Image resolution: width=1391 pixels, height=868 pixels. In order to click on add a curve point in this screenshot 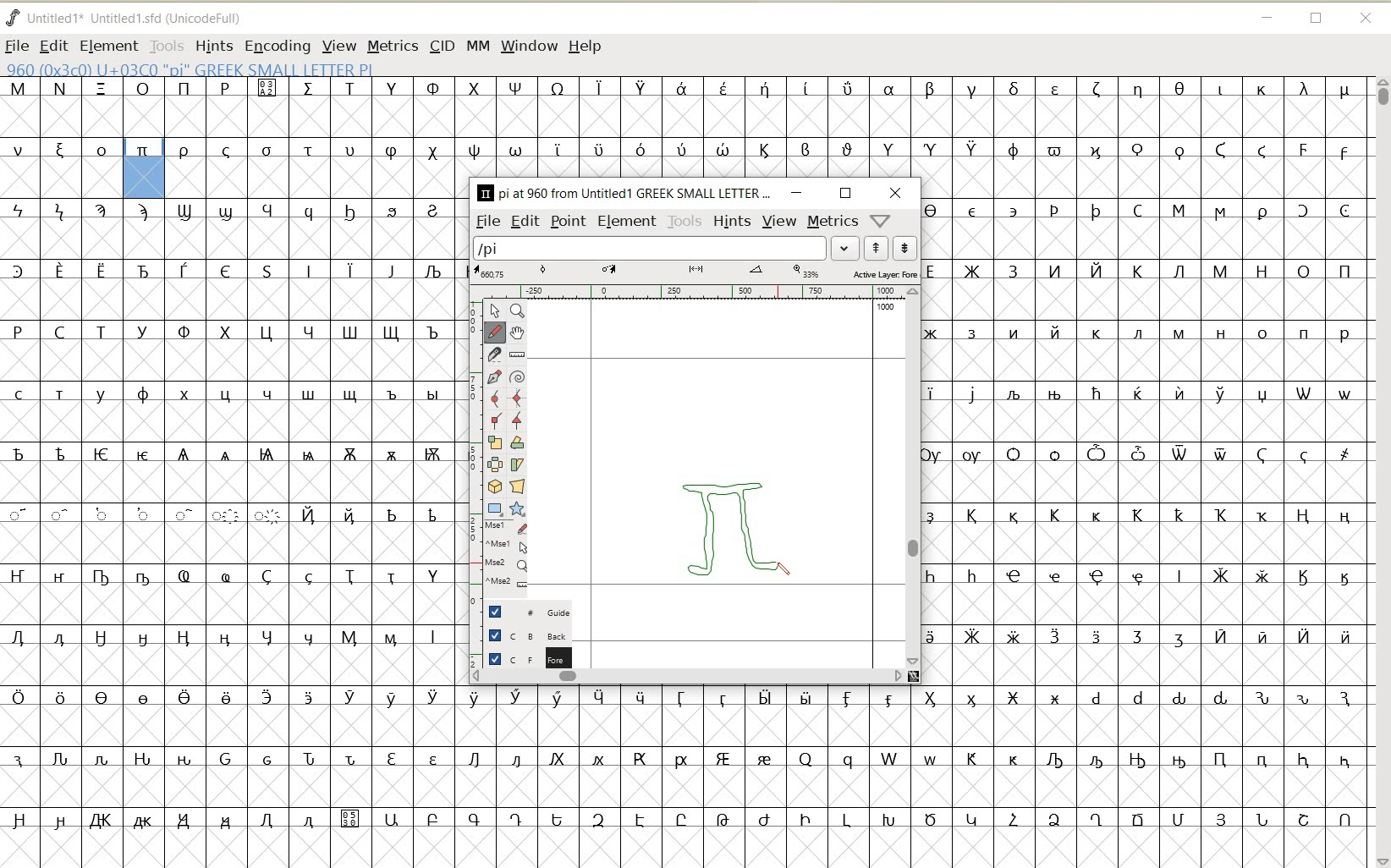, I will do `click(494, 397)`.